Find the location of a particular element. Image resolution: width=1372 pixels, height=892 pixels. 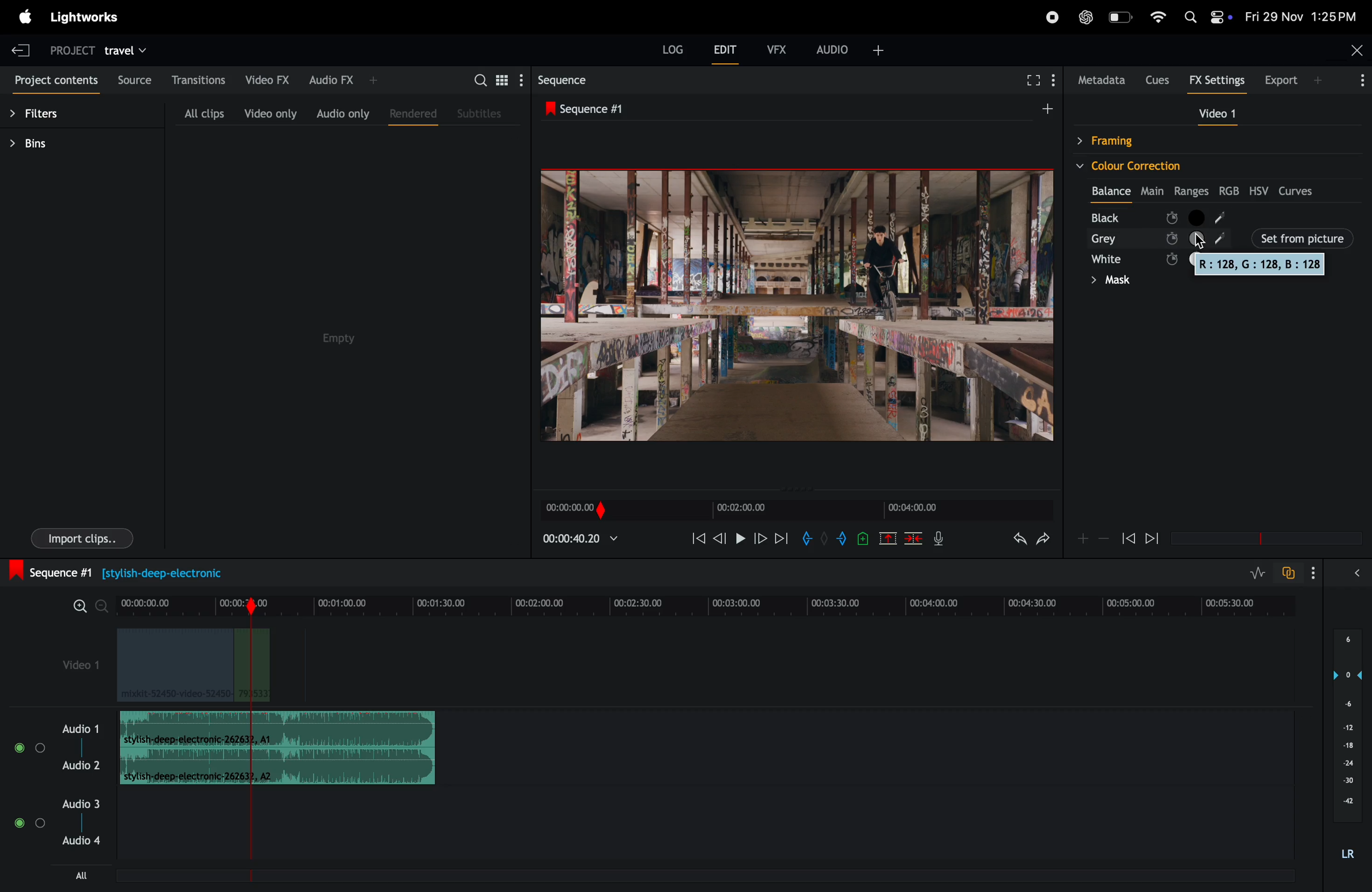

forward is located at coordinates (1153, 540).